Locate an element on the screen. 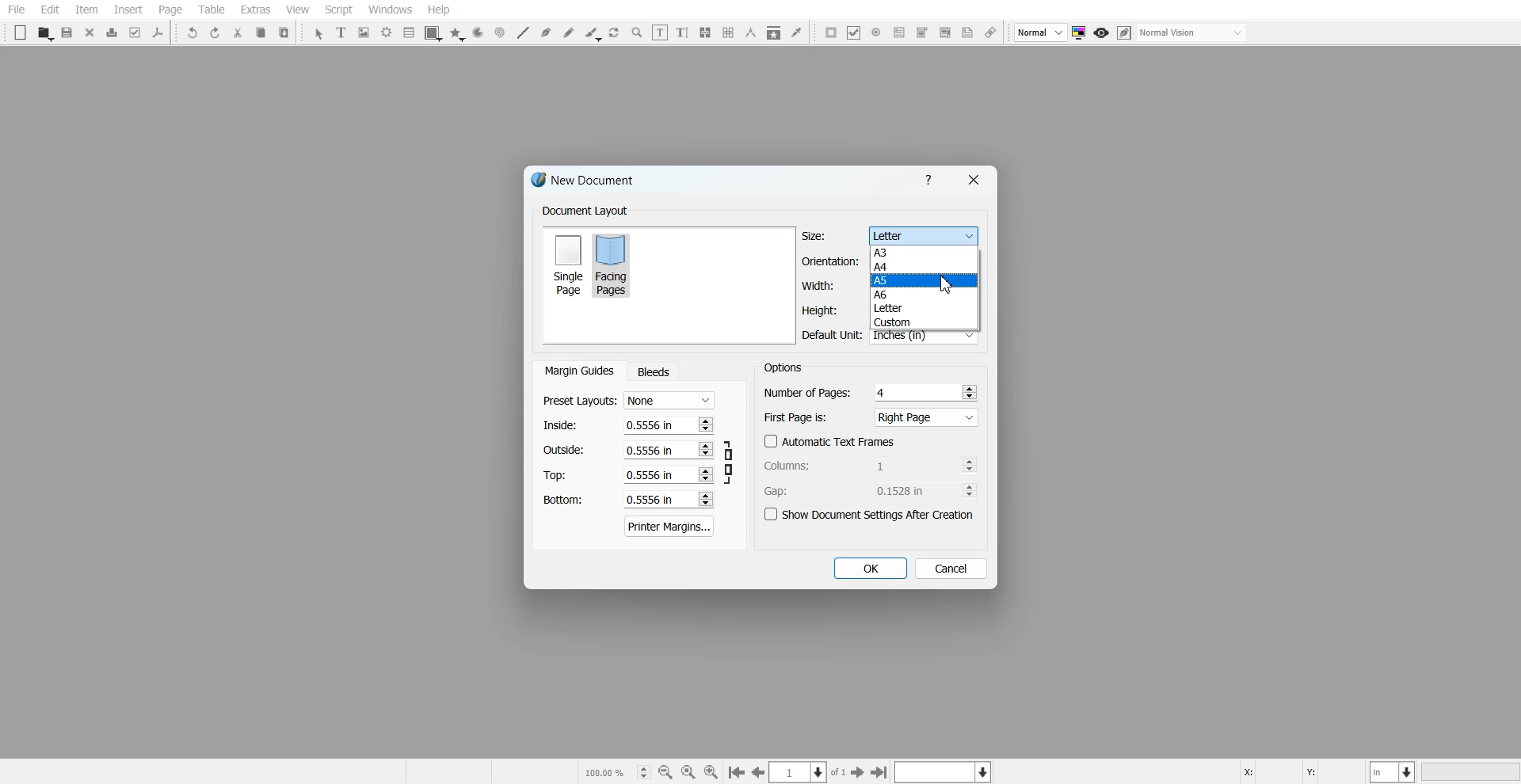 The height and width of the screenshot is (784, 1521). First Page is is located at coordinates (871, 417).